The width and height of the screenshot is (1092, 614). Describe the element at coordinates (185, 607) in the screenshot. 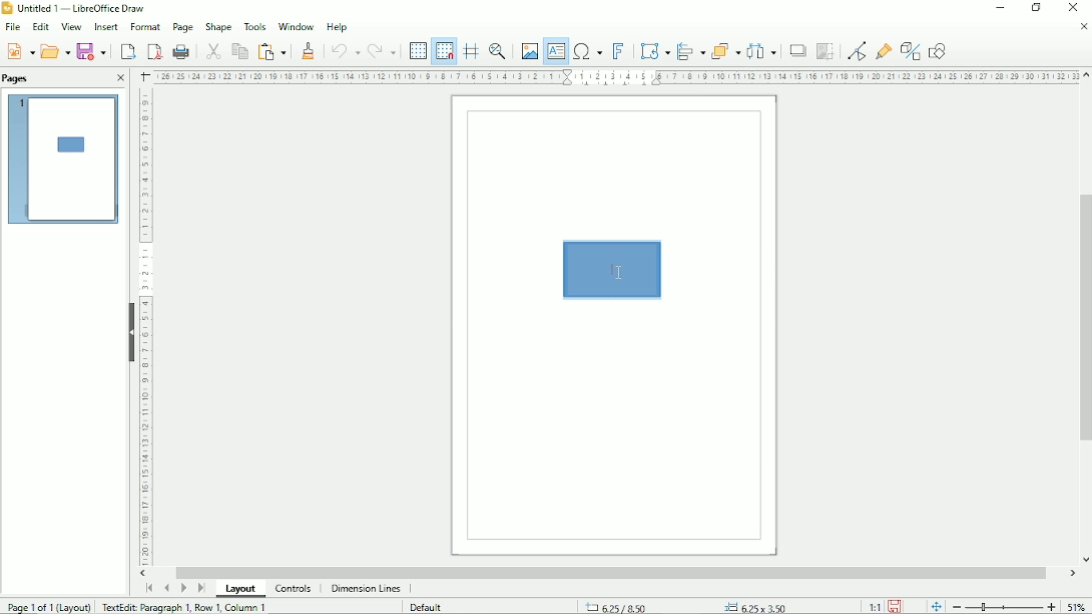

I see `TextEdit:  Paragraph 1, Row 1, Column 1` at that location.